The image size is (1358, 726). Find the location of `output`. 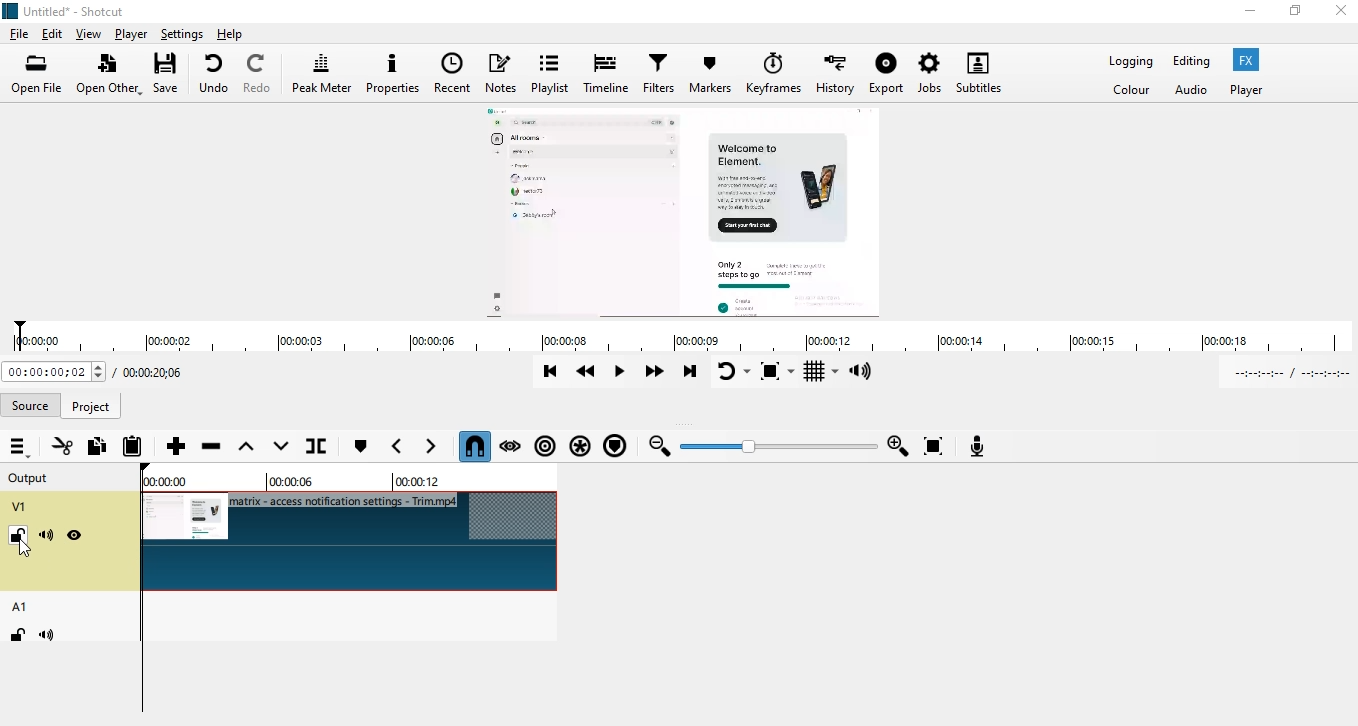

output is located at coordinates (32, 477).